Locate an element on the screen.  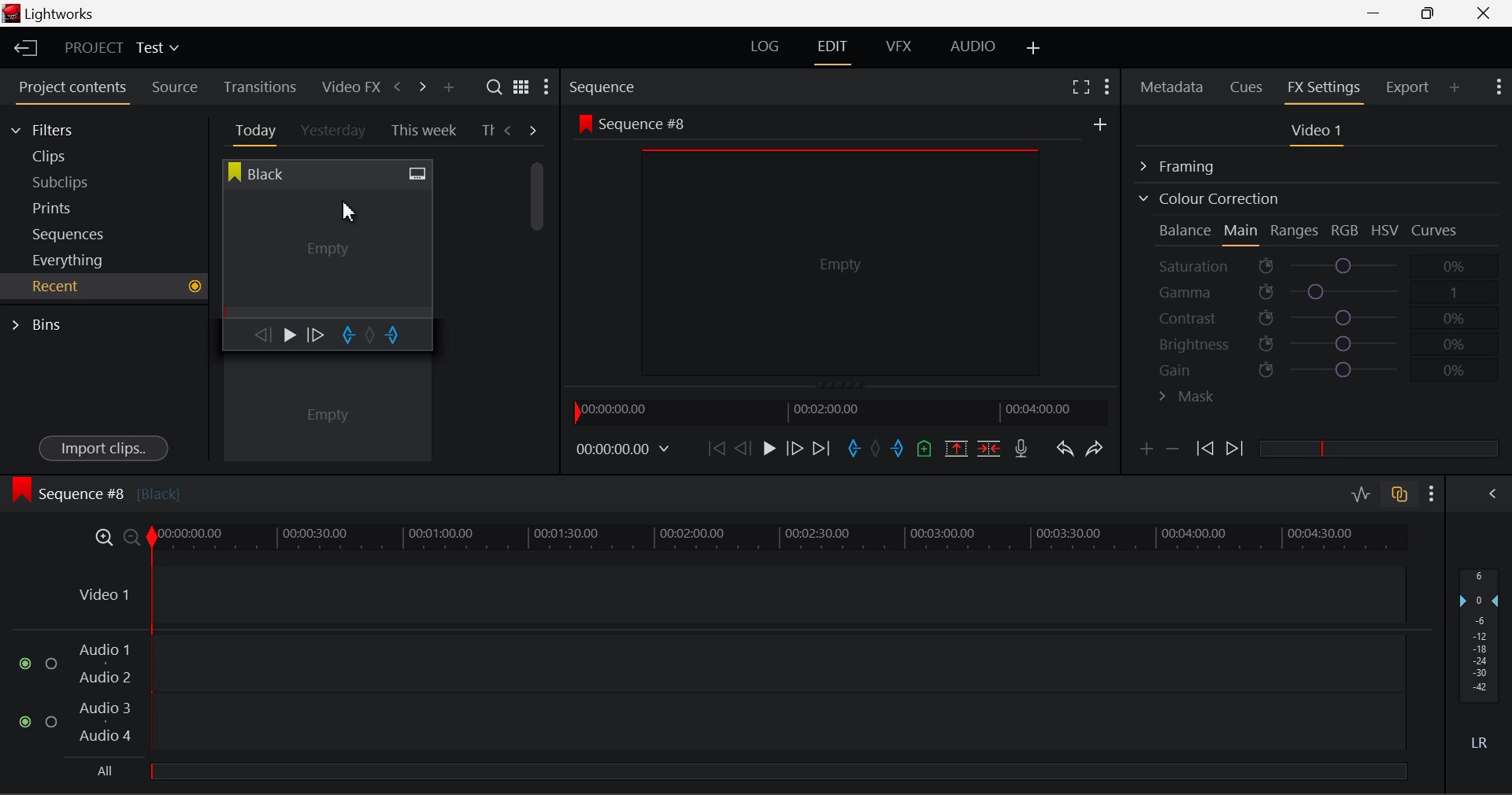
Sequence #8 Preview Screen is located at coordinates (841, 250).